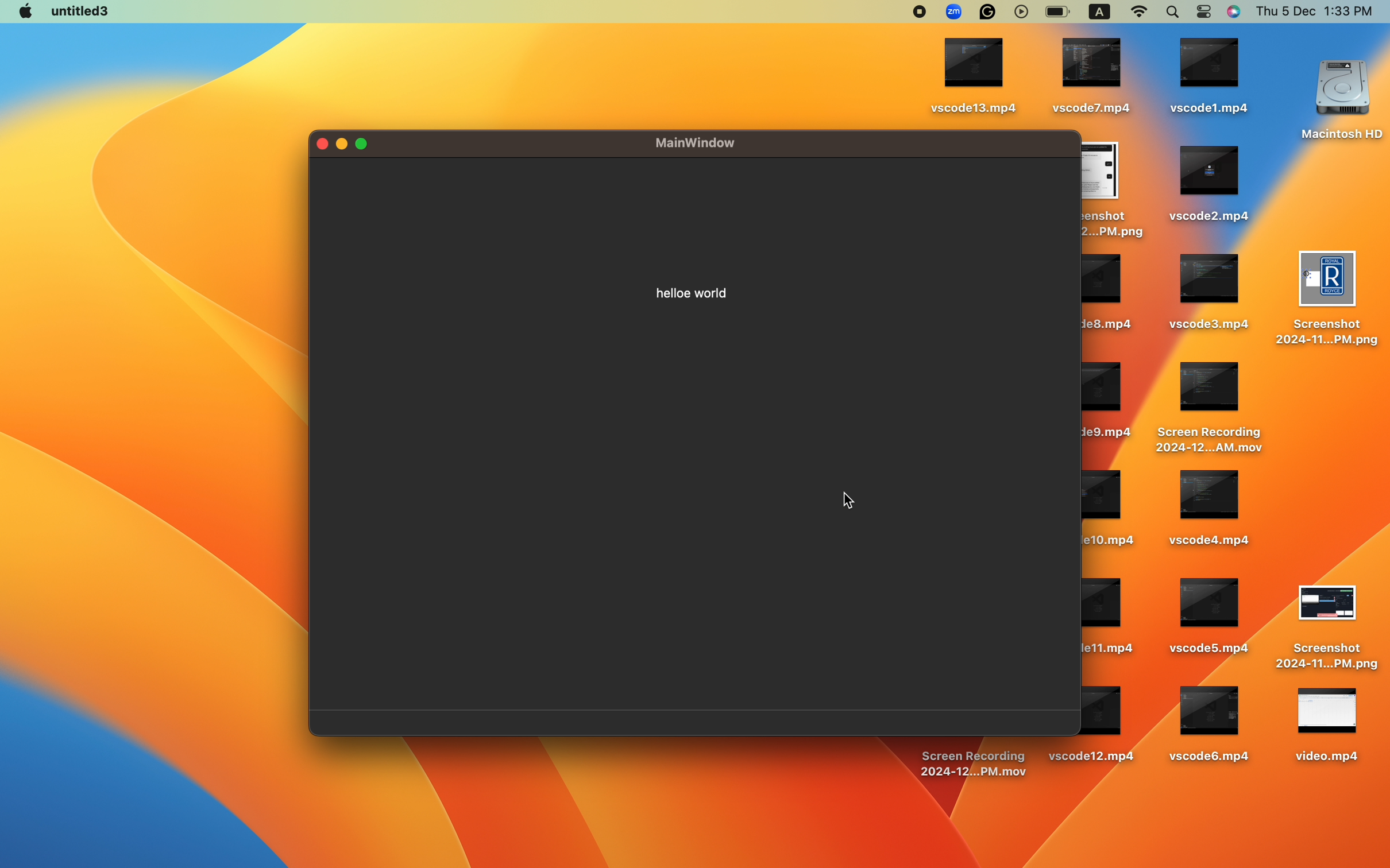 The image size is (1390, 868). I want to click on Macintosh, so click(1237, 467).